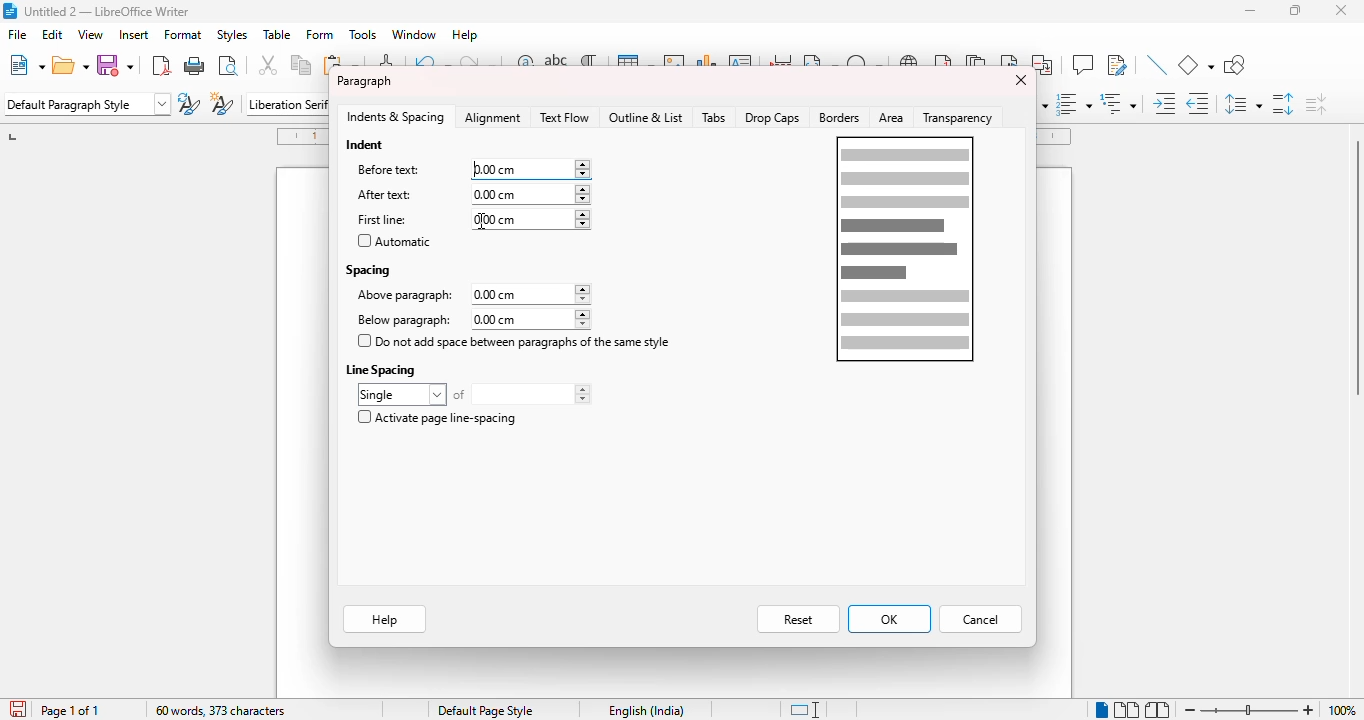  Describe the element at coordinates (1243, 104) in the screenshot. I see `set line spacing` at that location.